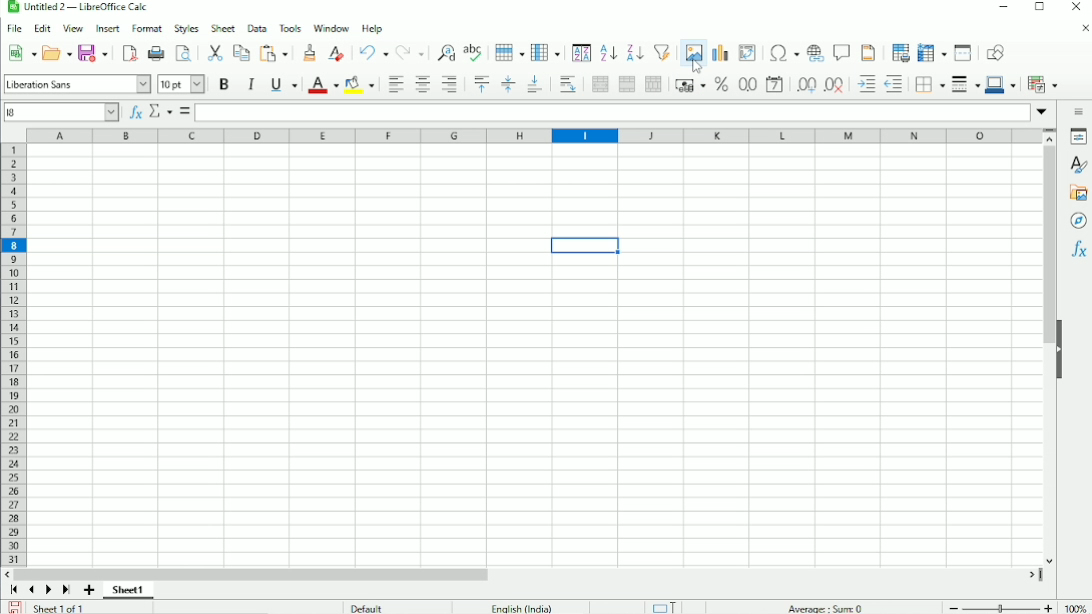 Image resolution: width=1092 pixels, height=614 pixels. What do you see at coordinates (134, 590) in the screenshot?
I see `Sheet1` at bounding box center [134, 590].